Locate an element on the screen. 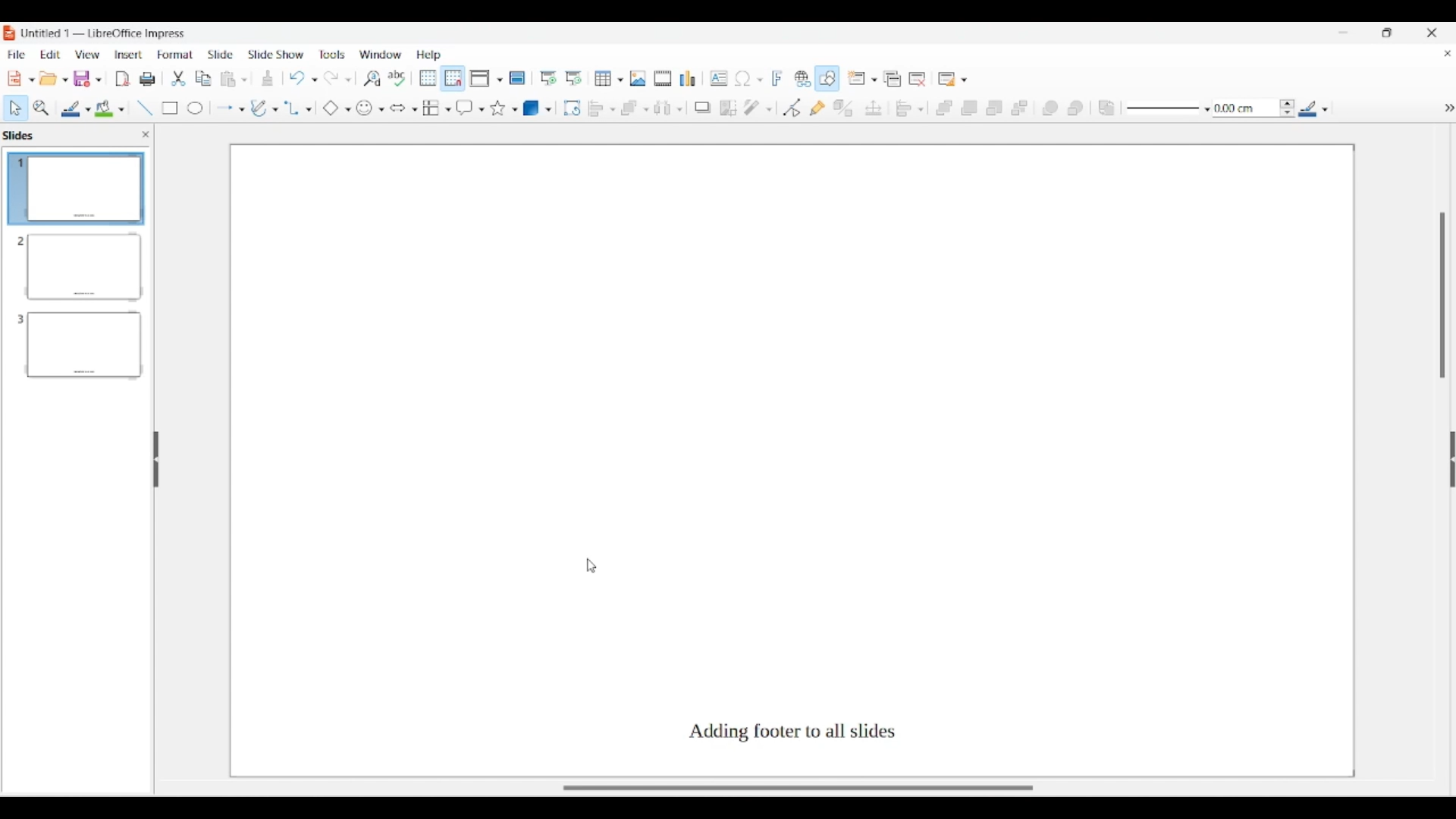 The width and height of the screenshot is (1456, 819). Edit menu is located at coordinates (51, 55).